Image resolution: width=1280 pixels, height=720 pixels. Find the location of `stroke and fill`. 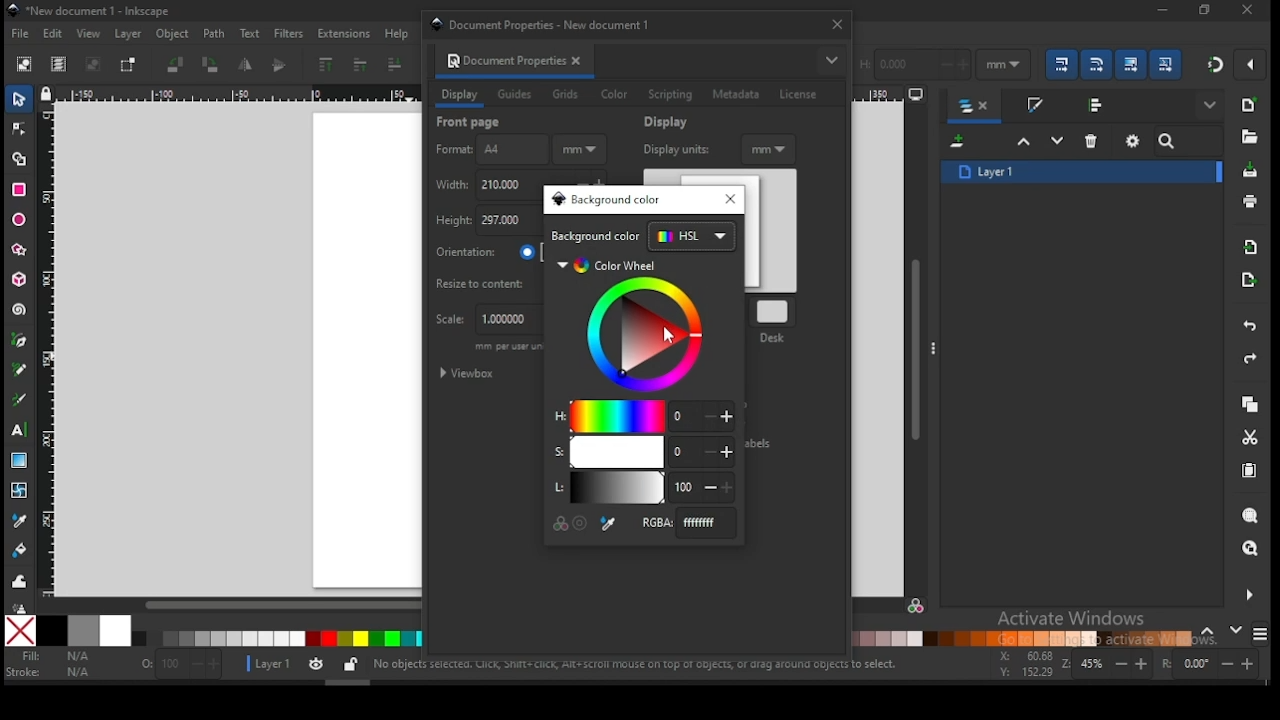

stroke and fill is located at coordinates (1034, 106).